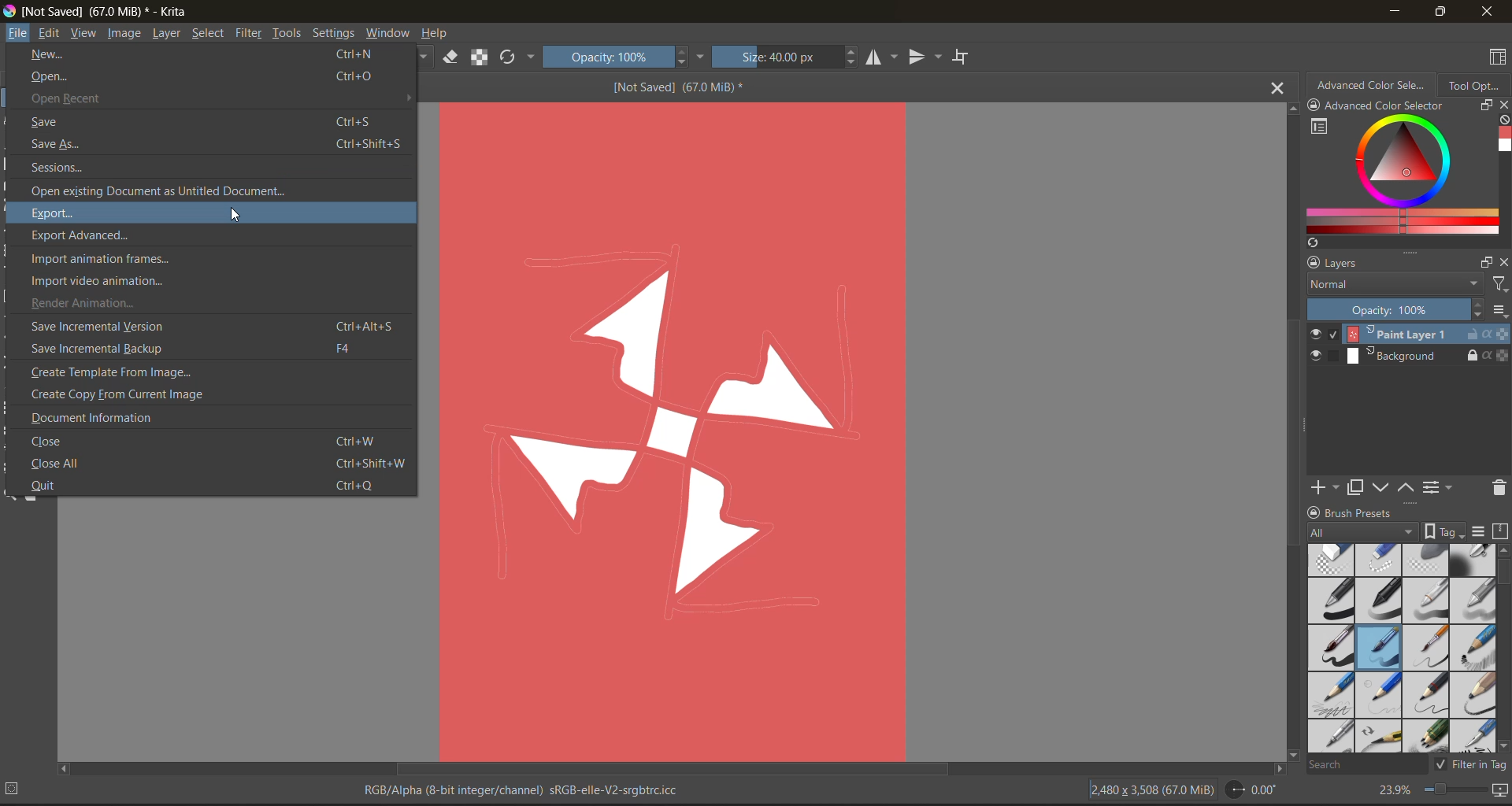  What do you see at coordinates (1387, 264) in the screenshot?
I see `layers` at bounding box center [1387, 264].